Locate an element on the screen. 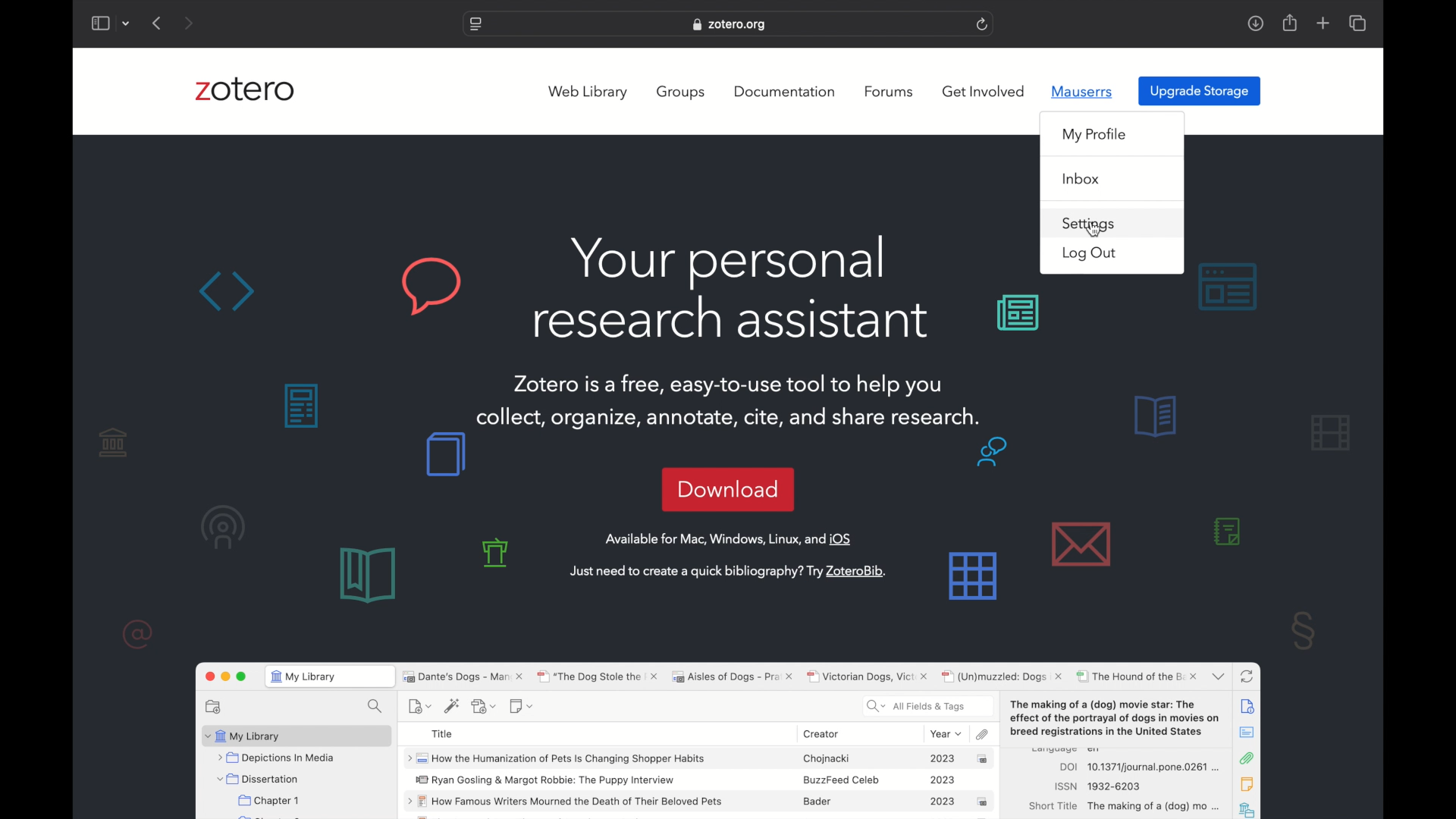 The height and width of the screenshot is (819, 1456). background graphics is located at coordinates (1019, 313).